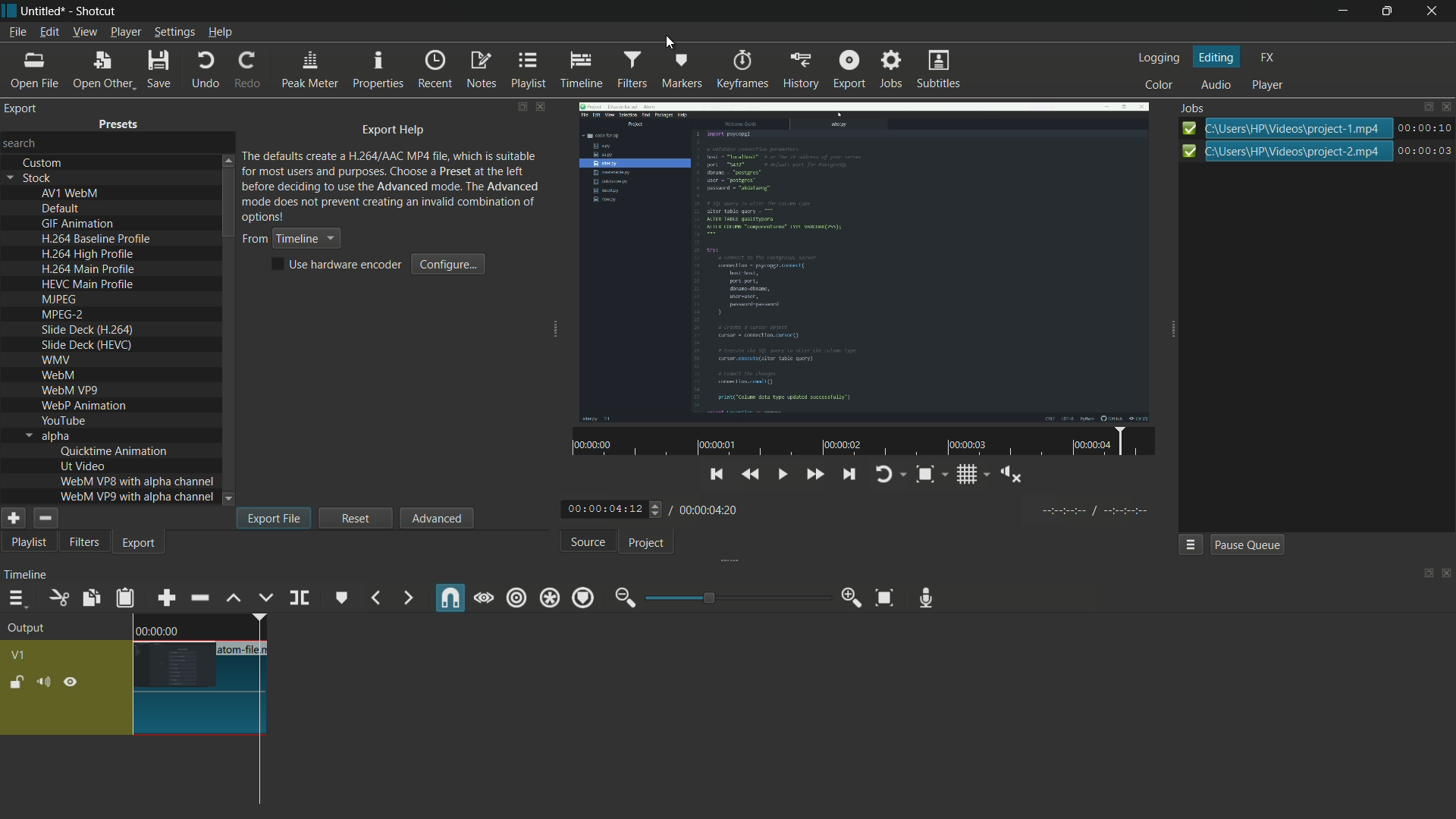  What do you see at coordinates (227, 159) in the screenshot?
I see `scroll up` at bounding box center [227, 159].